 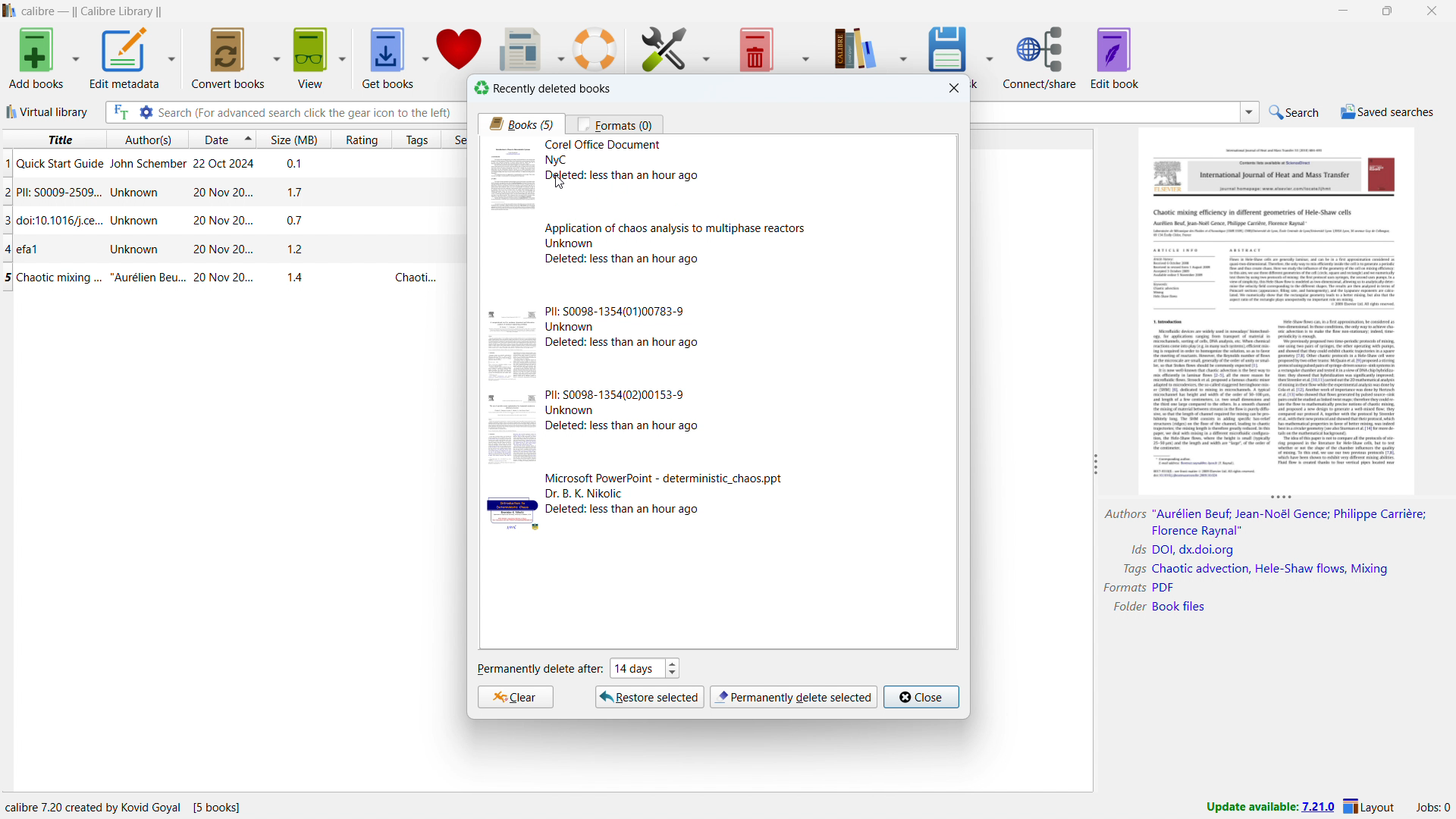 I want to click on enter search string, so click(x=309, y=112).